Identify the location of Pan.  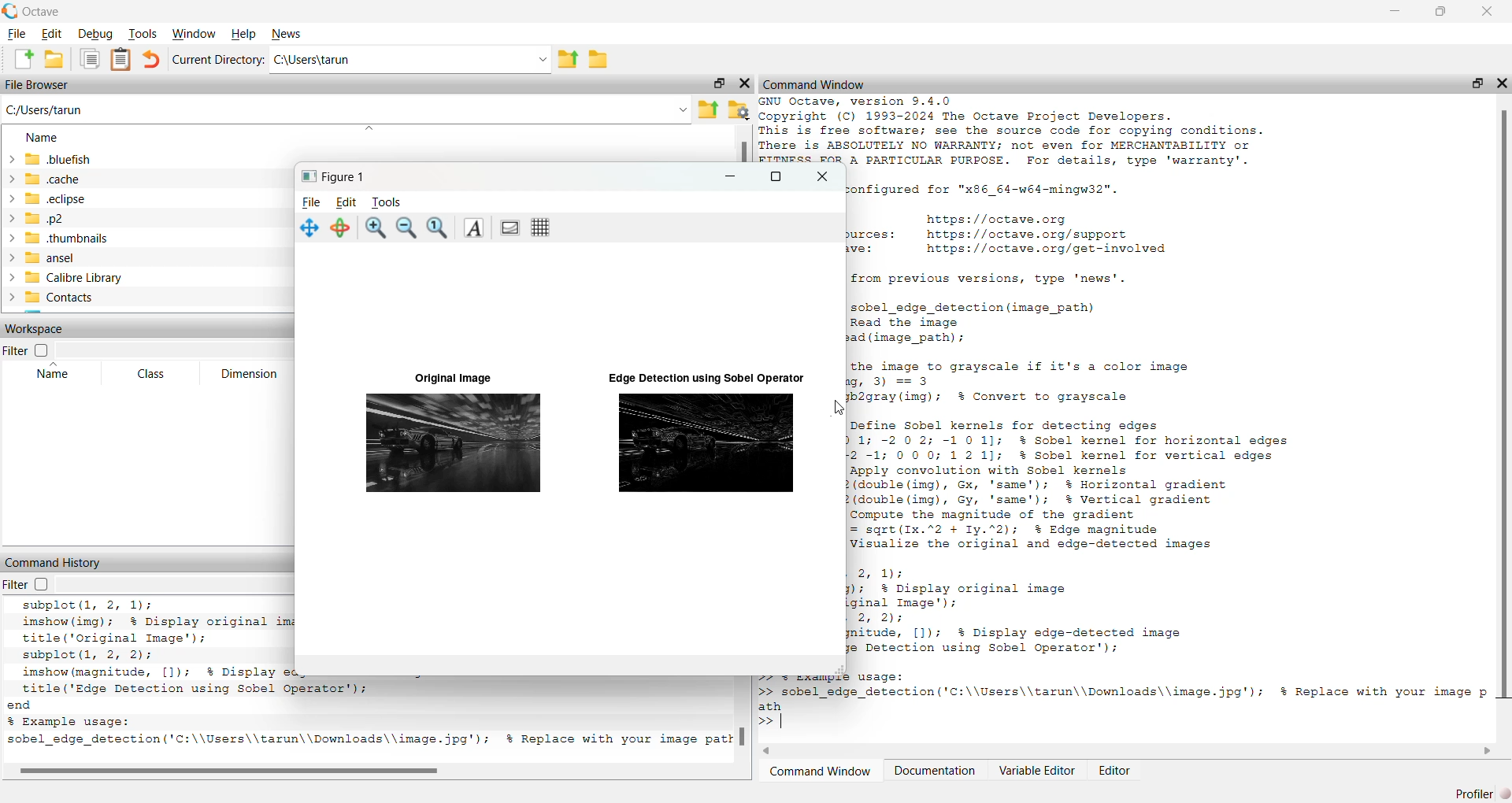
(309, 229).